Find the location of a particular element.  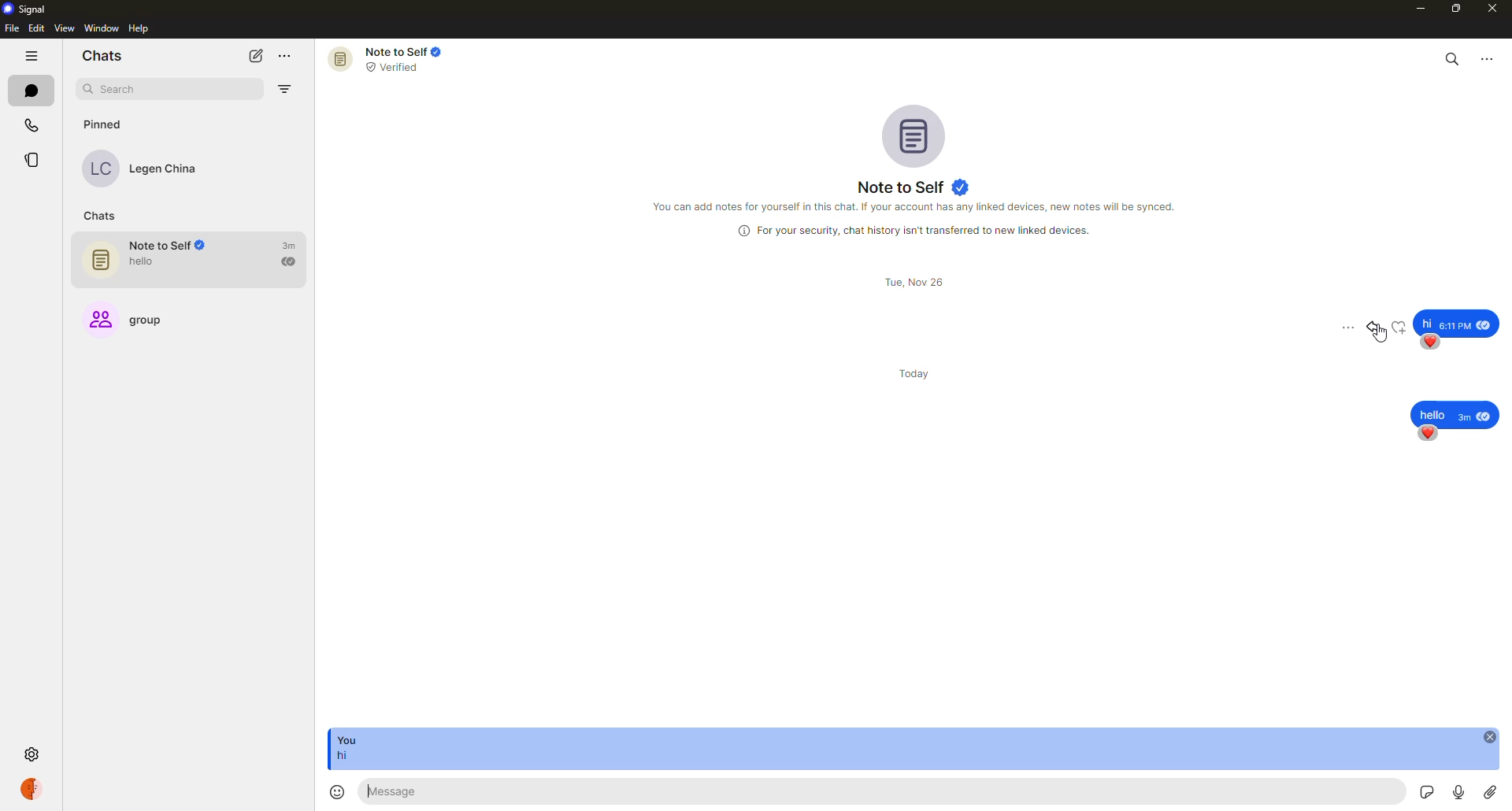

emoji is located at coordinates (337, 791).